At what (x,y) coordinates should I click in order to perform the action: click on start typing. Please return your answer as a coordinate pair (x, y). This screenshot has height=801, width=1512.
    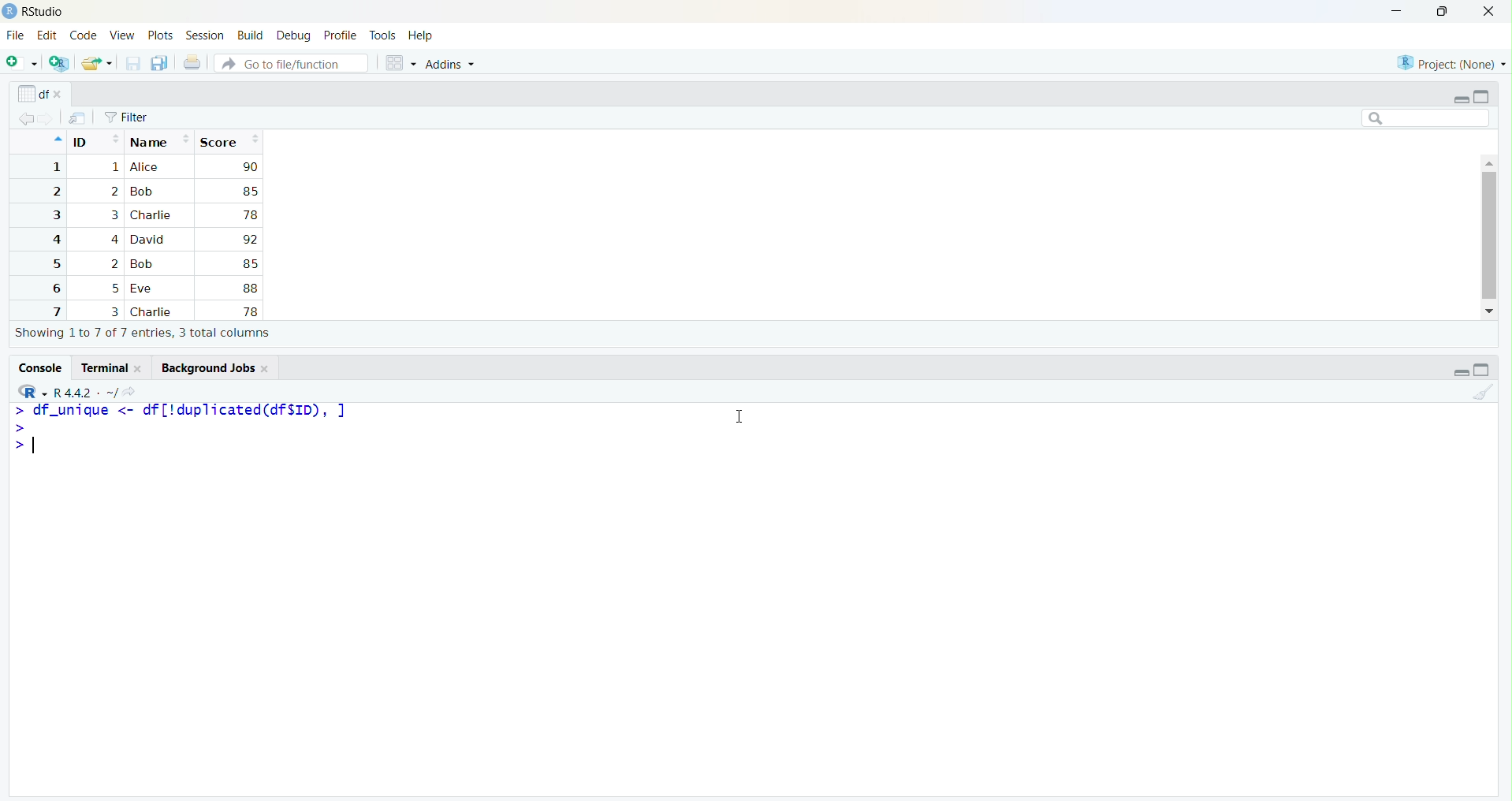
    Looking at the image, I should click on (17, 411).